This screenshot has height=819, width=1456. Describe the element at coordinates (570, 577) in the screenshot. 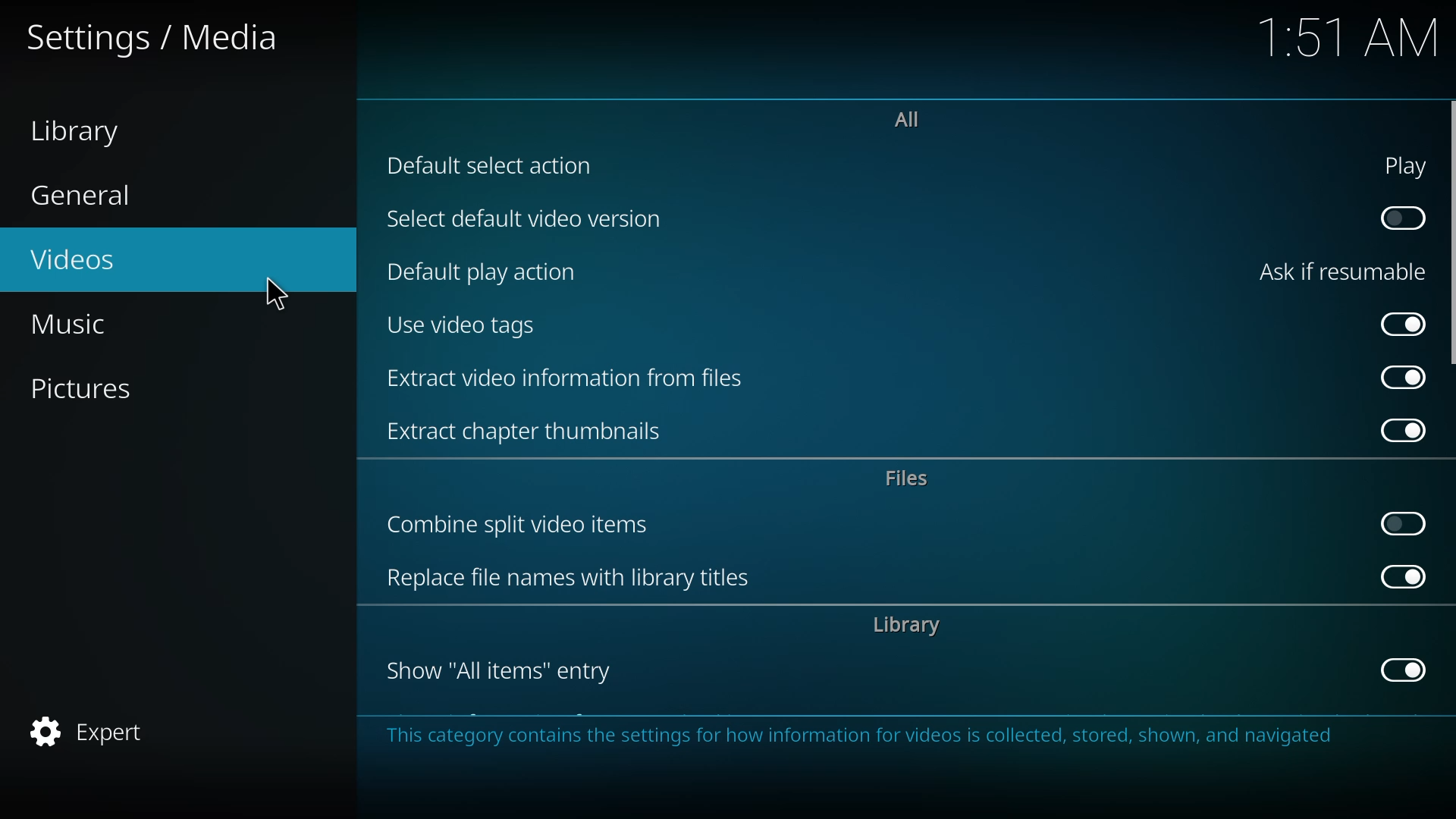

I see `replace file names with library titles` at that location.